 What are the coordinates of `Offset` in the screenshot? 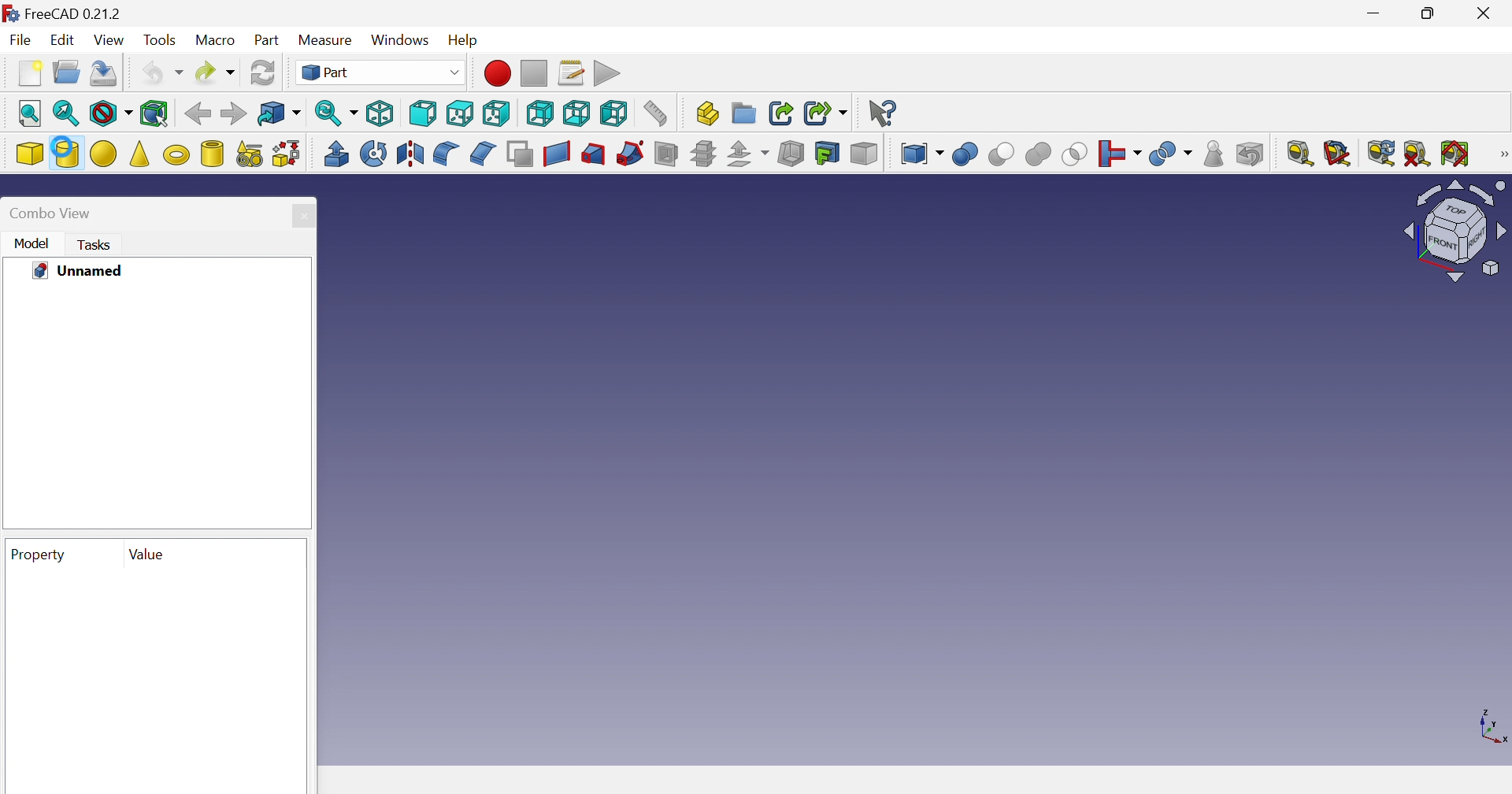 It's located at (747, 155).